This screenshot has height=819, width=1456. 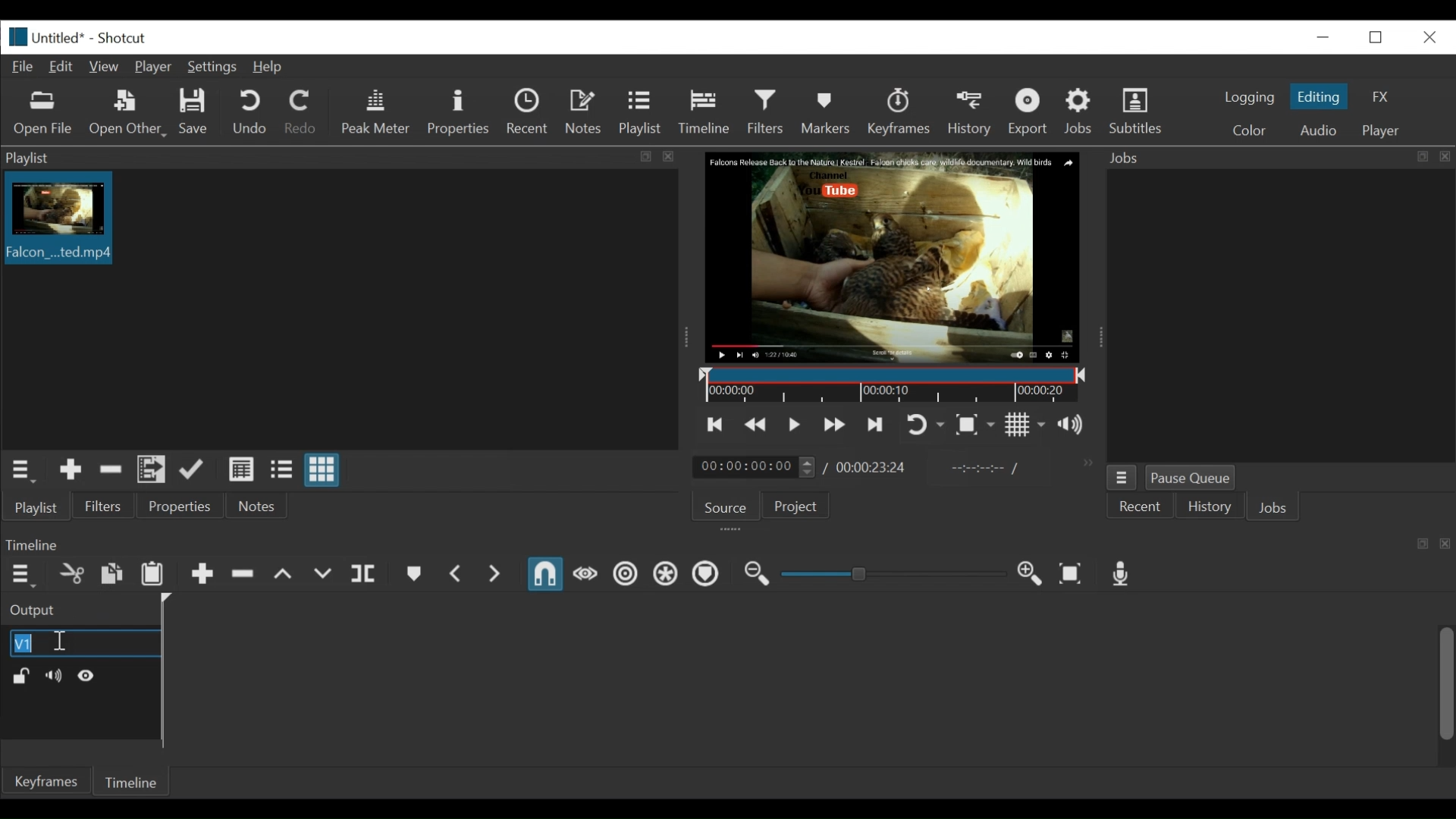 What do you see at coordinates (924, 424) in the screenshot?
I see `Toggle Zoom` at bounding box center [924, 424].